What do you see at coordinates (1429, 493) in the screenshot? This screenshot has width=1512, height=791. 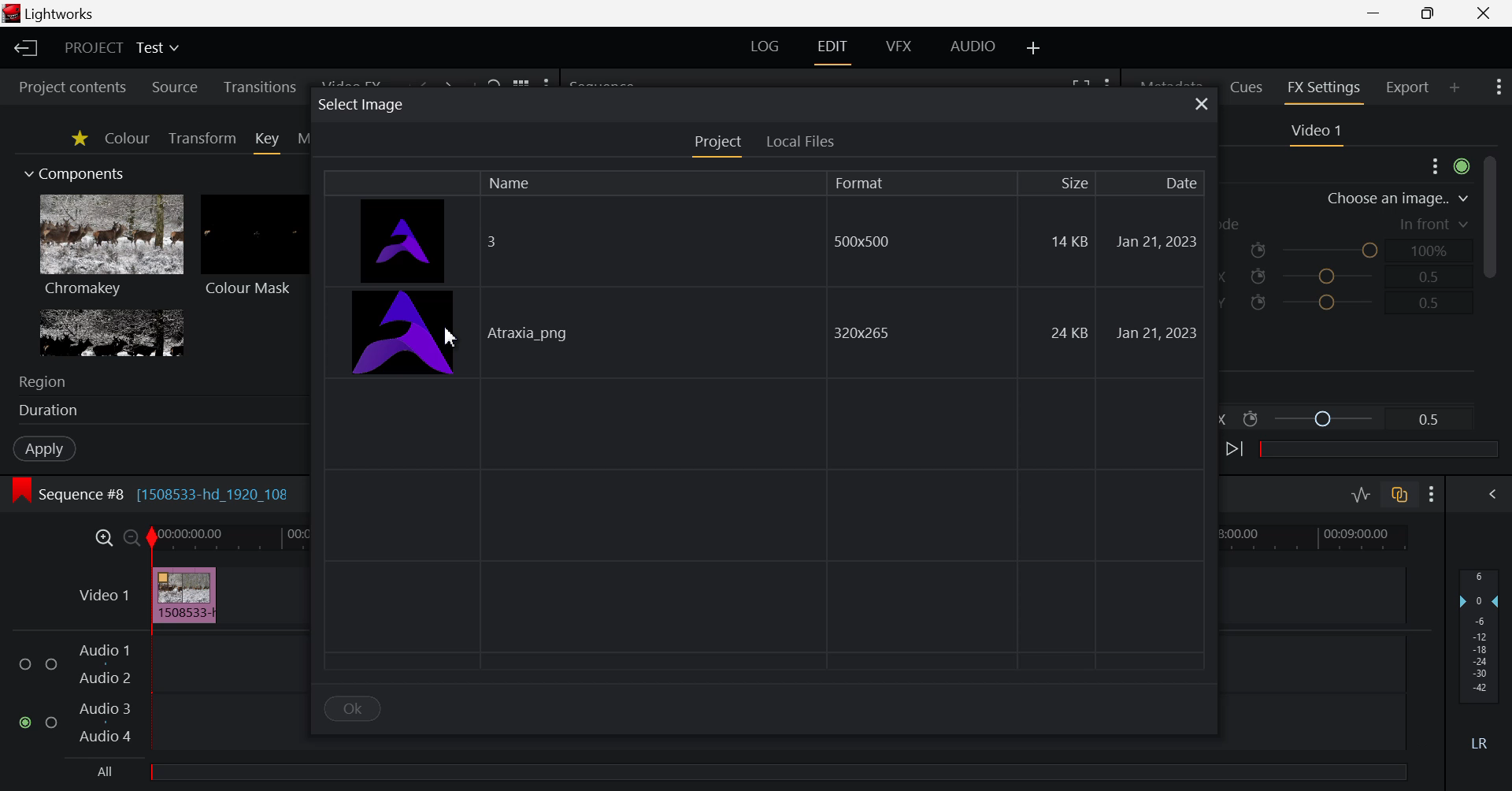 I see `Show Settings` at bounding box center [1429, 493].